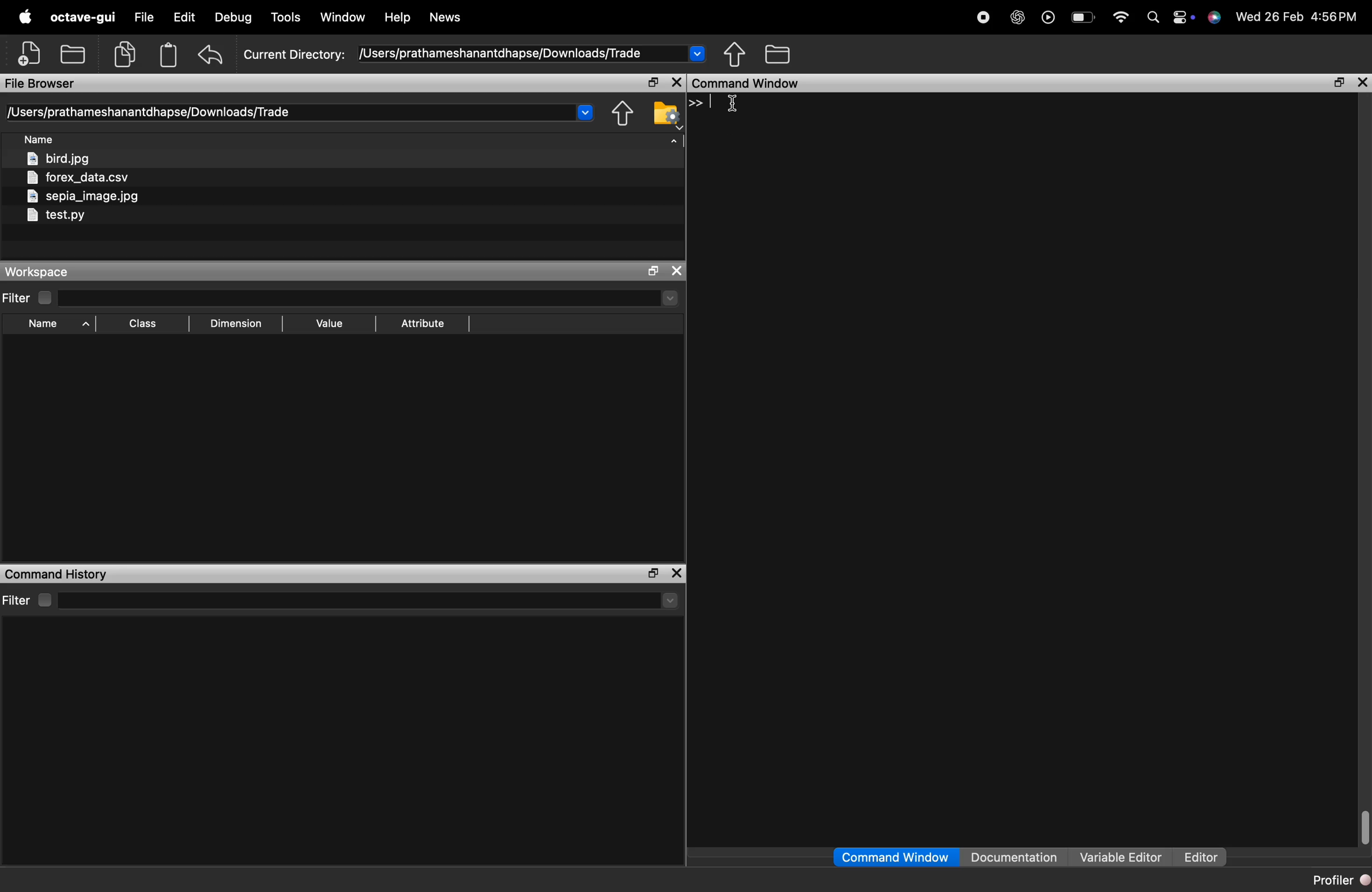  I want to click on bird.jpg, so click(58, 158).